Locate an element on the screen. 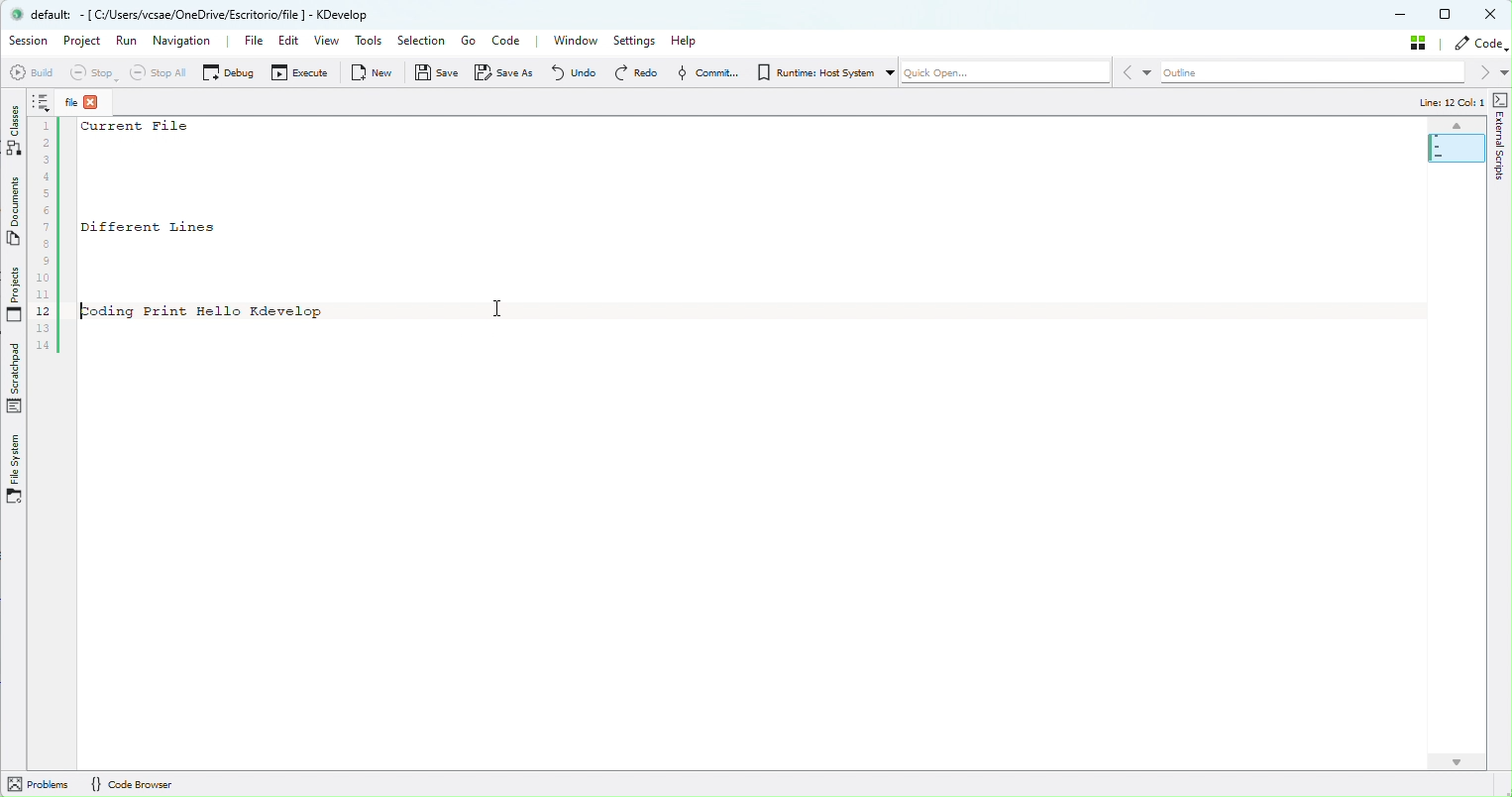  Projects is located at coordinates (15, 301).